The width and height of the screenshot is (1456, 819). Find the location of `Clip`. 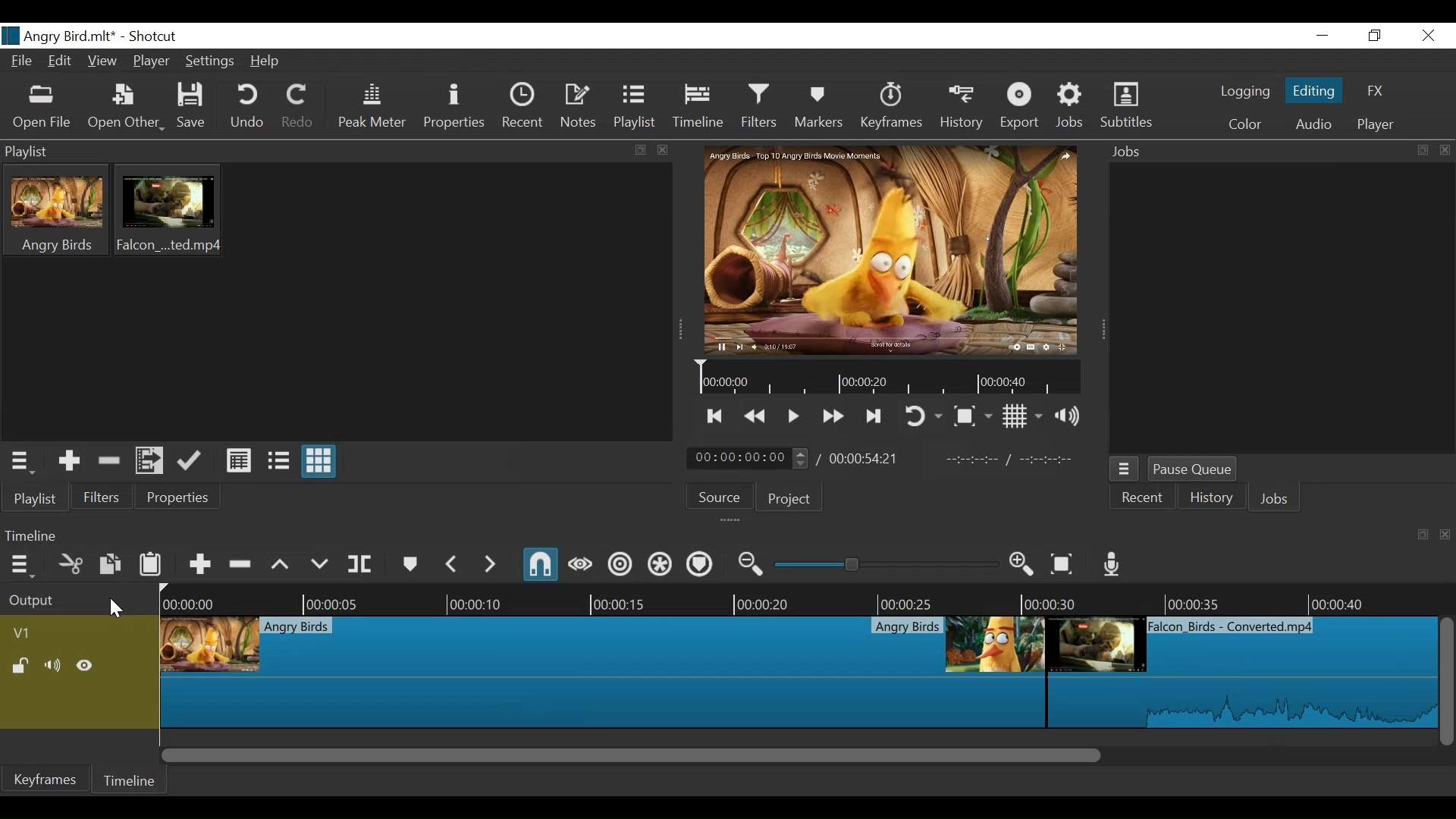

Clip is located at coordinates (57, 209).